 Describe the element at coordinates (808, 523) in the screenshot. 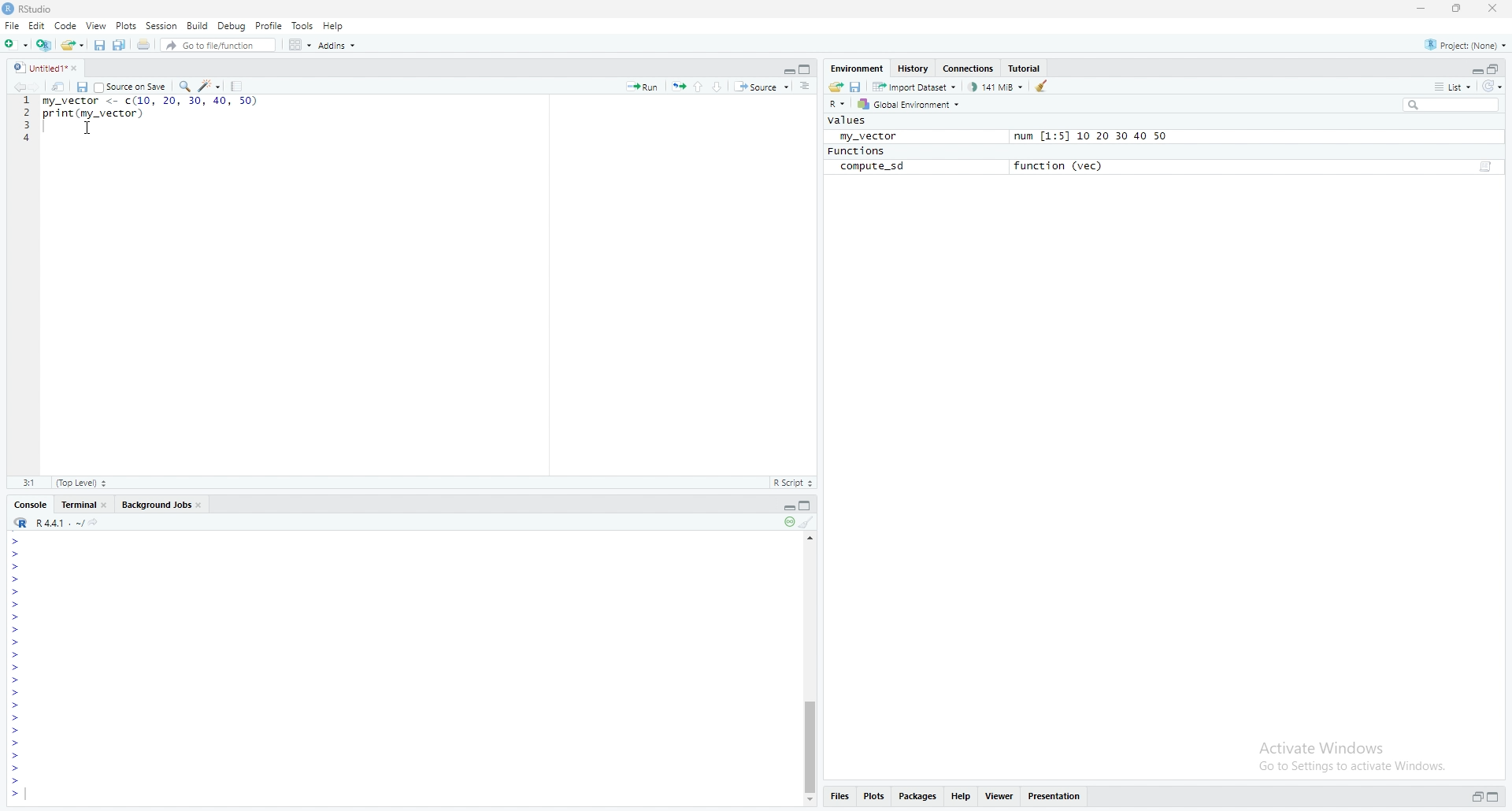

I see `Clear console (Ctrl + L)` at that location.